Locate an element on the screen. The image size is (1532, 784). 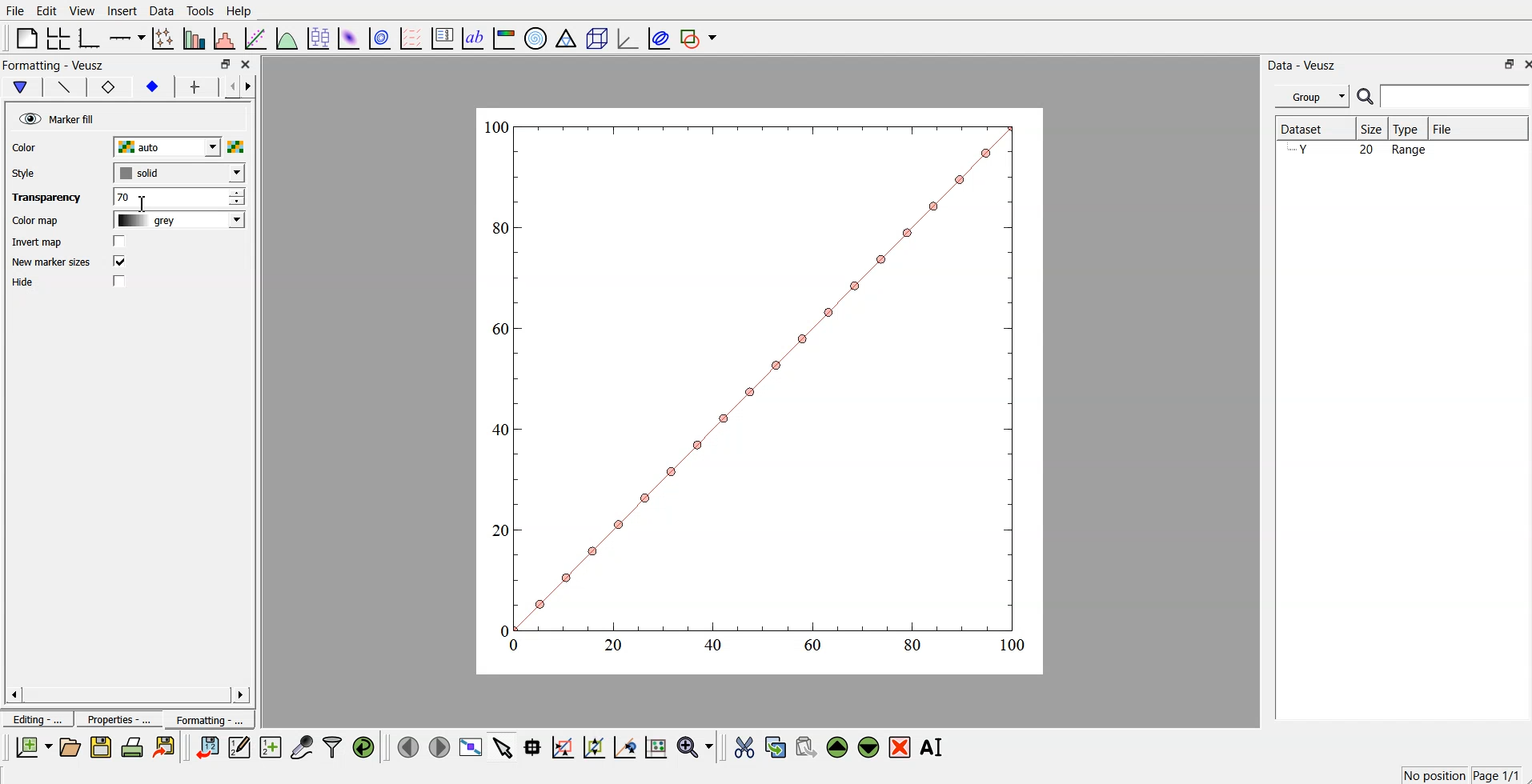
View plot full screen is located at coordinates (471, 746).